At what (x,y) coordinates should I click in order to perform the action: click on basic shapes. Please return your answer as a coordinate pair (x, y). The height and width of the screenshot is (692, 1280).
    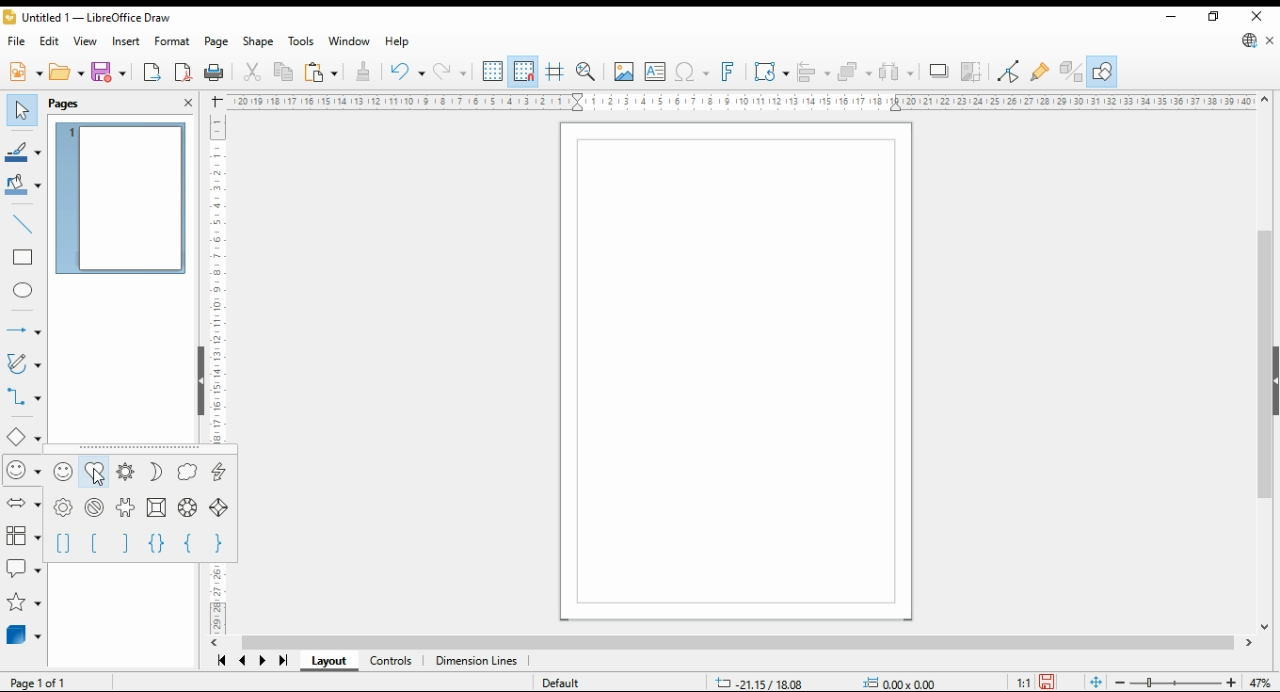
    Looking at the image, I should click on (23, 436).